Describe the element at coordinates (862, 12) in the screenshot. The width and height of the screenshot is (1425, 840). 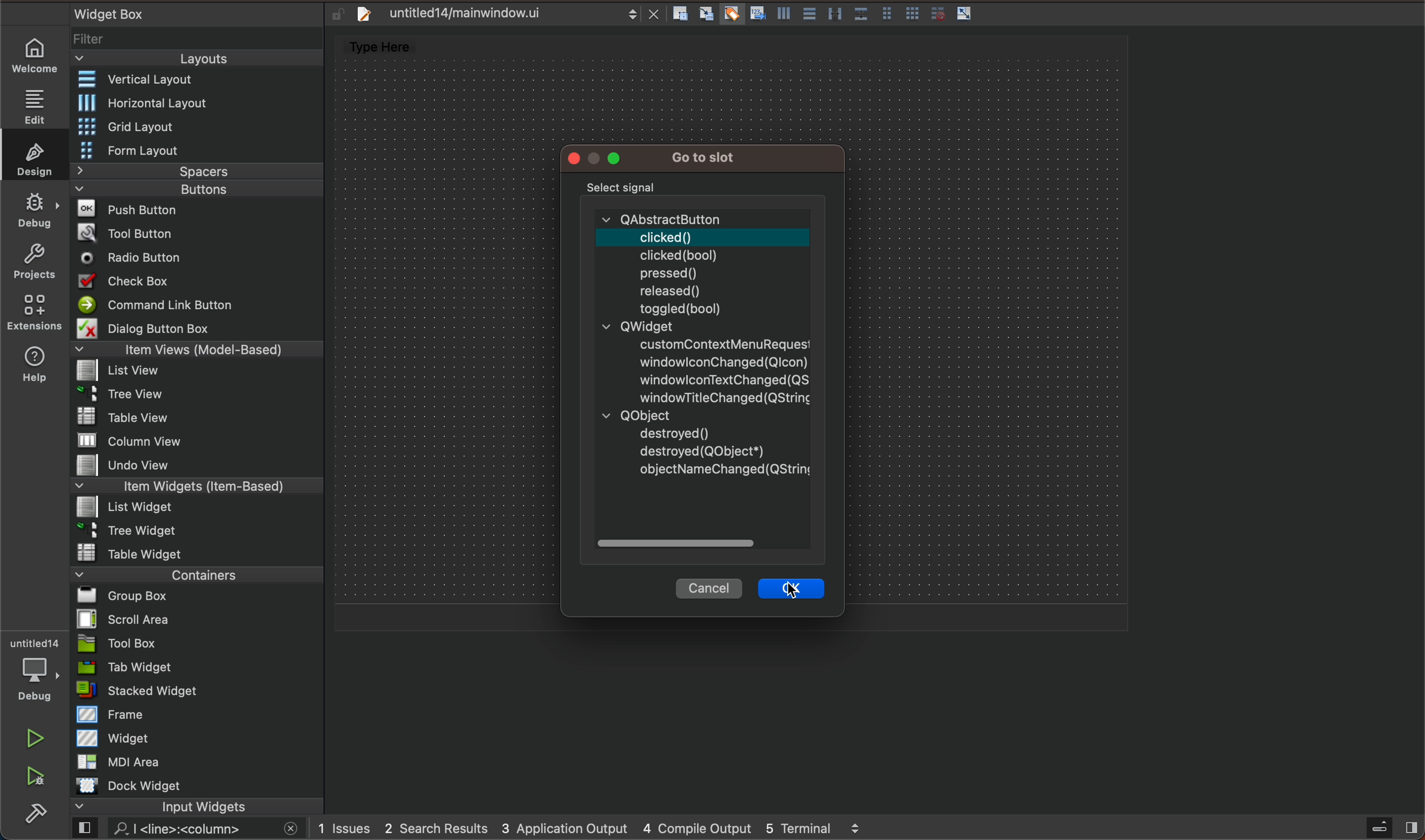
I see `` at that location.